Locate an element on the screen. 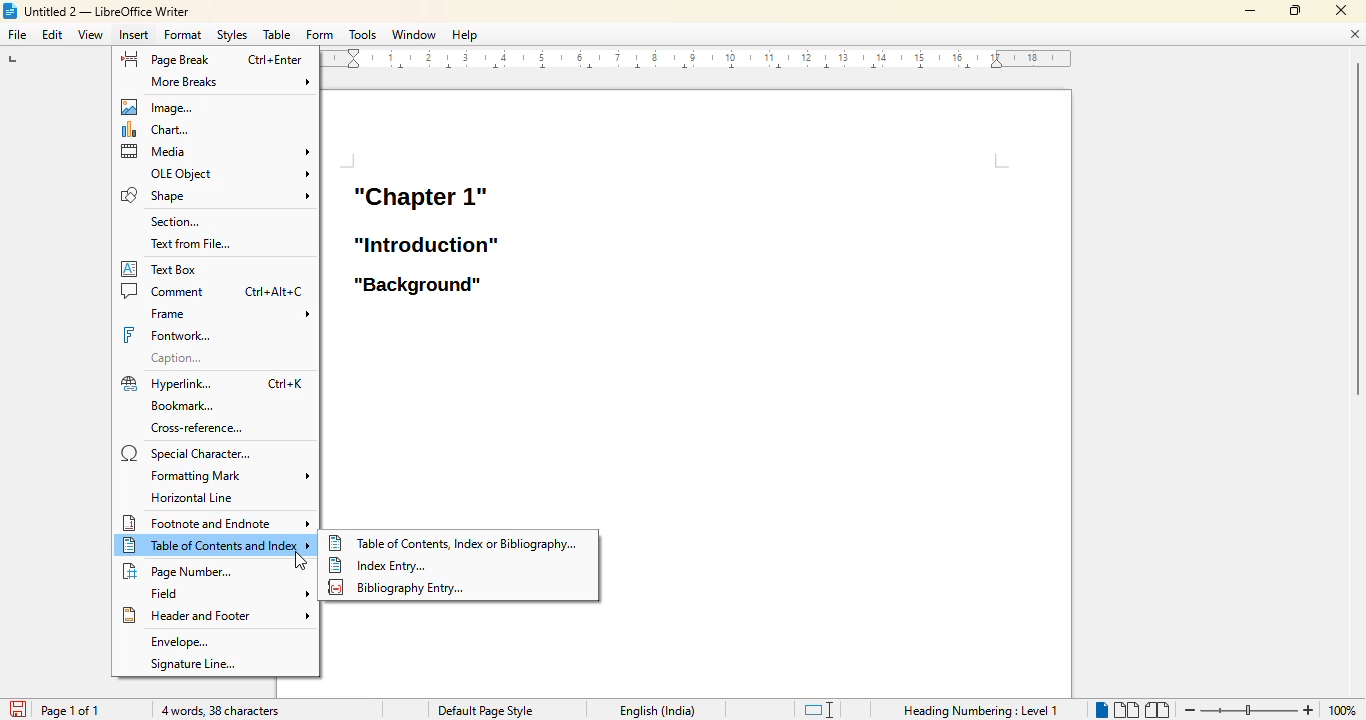 The height and width of the screenshot is (720, 1366). signature line is located at coordinates (194, 664).